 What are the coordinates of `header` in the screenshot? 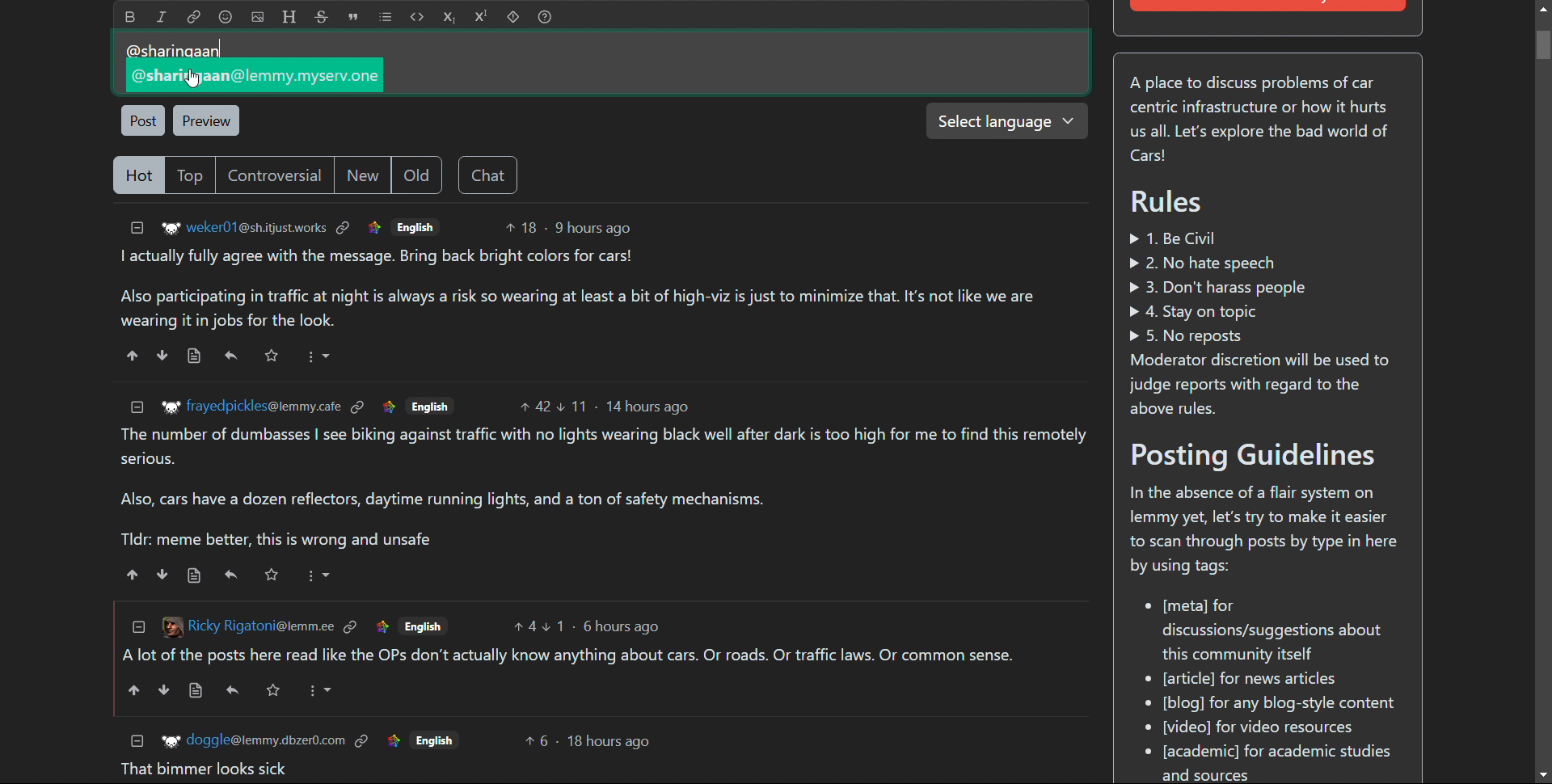 It's located at (288, 17).